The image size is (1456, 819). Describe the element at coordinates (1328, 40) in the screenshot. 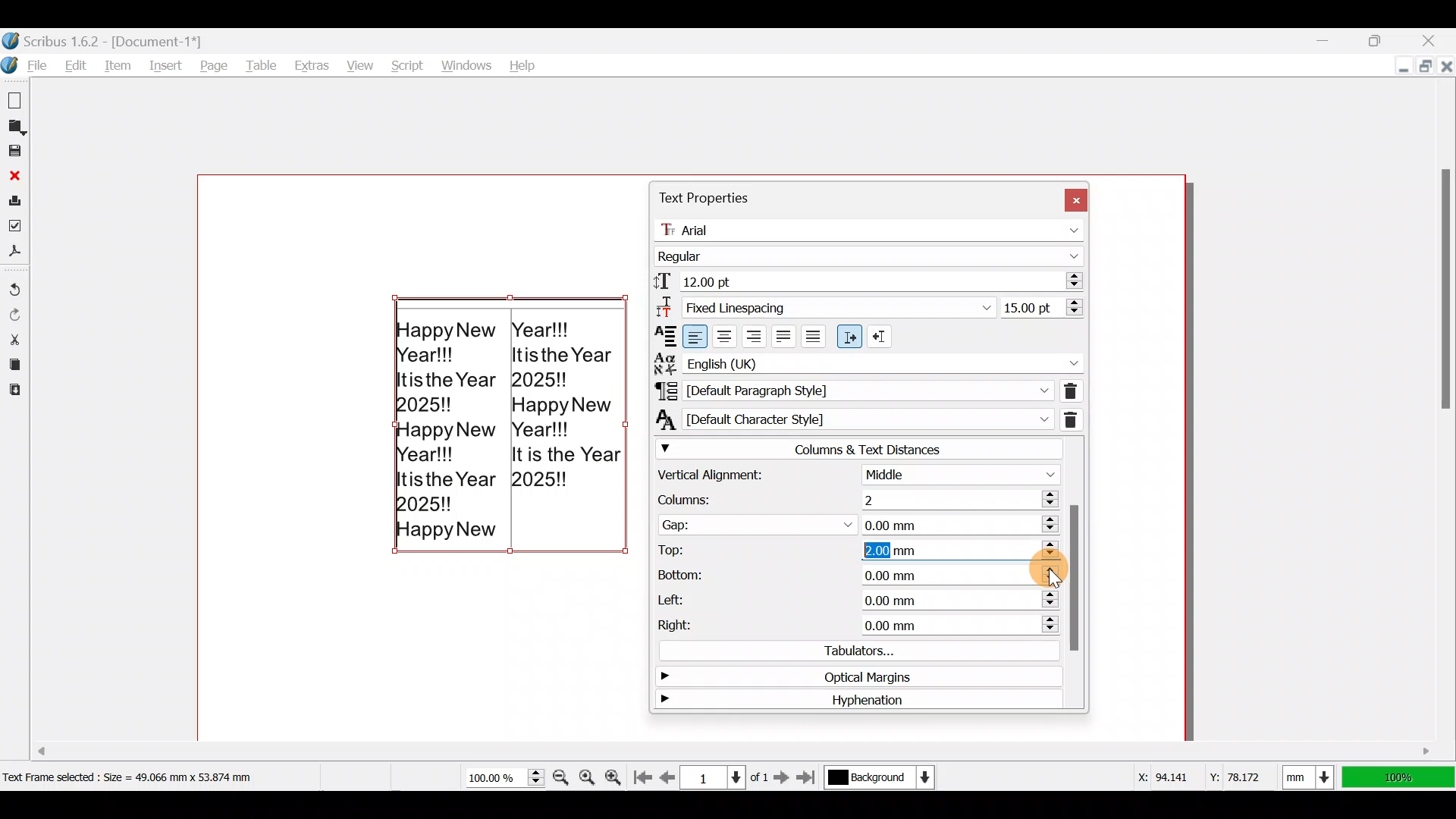

I see `Minimize` at that location.